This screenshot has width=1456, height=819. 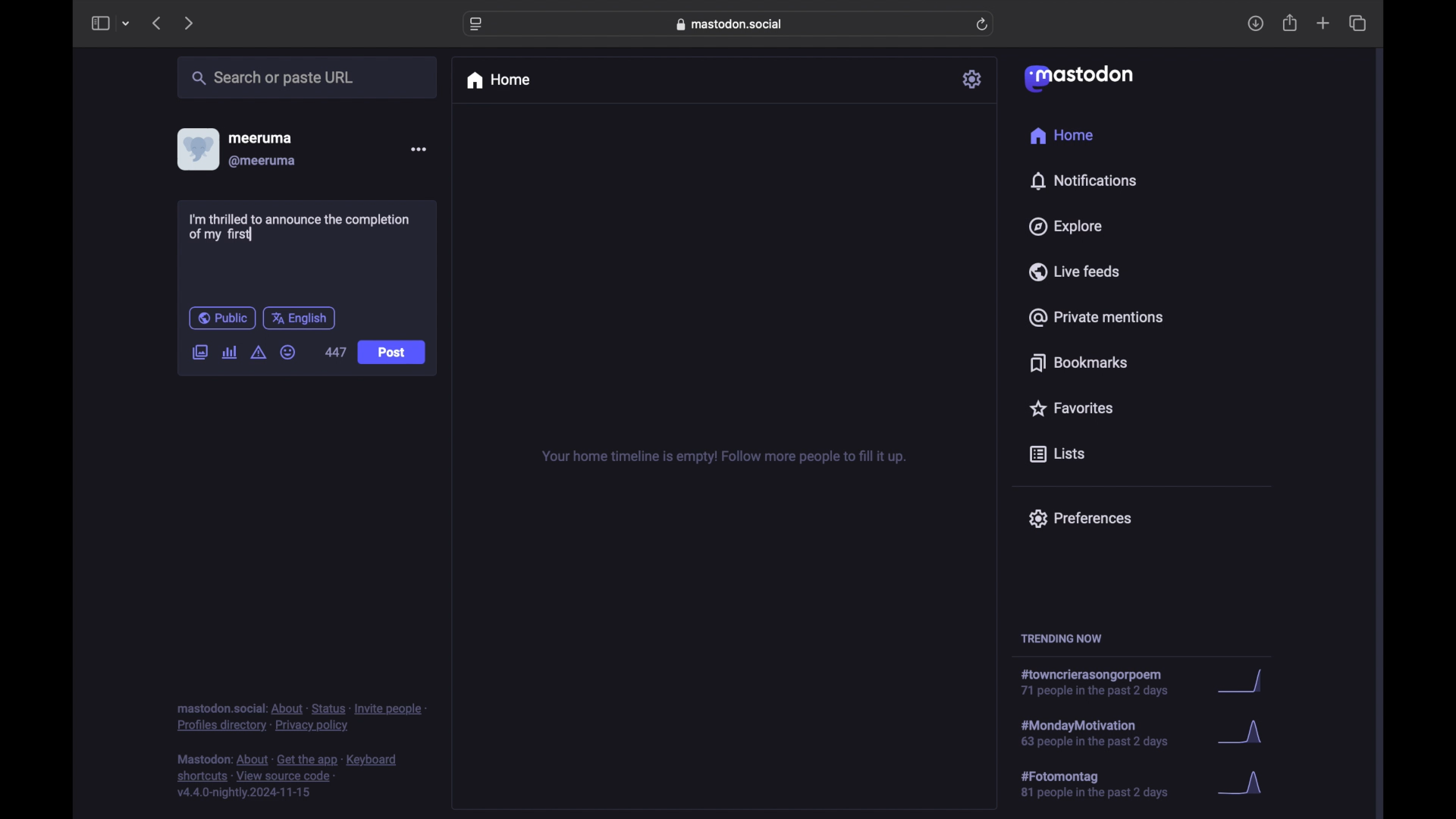 I want to click on hashtag trend, so click(x=1100, y=682).